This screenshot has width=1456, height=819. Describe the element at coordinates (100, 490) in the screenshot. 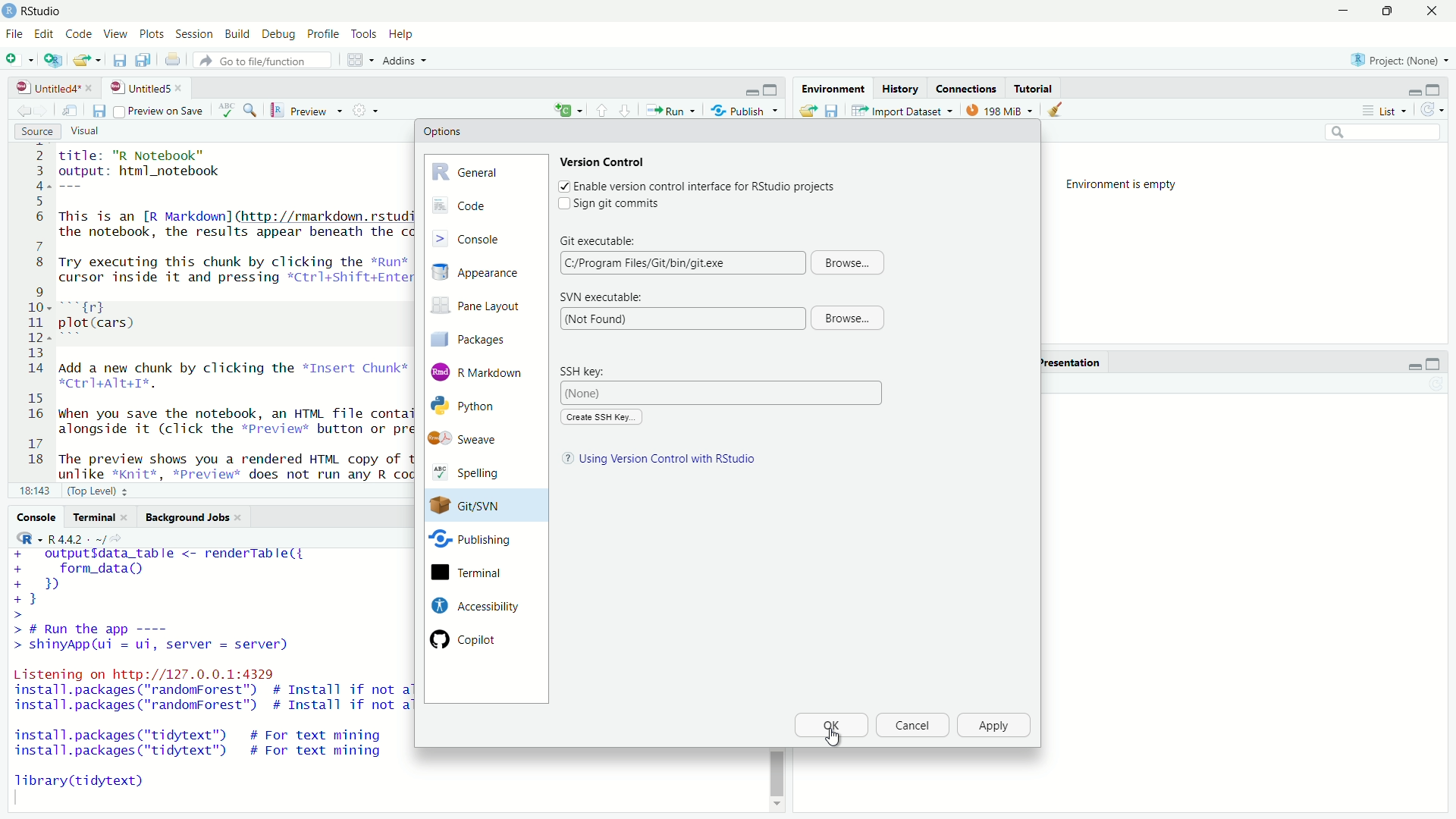

I see `(Top Level)` at that location.